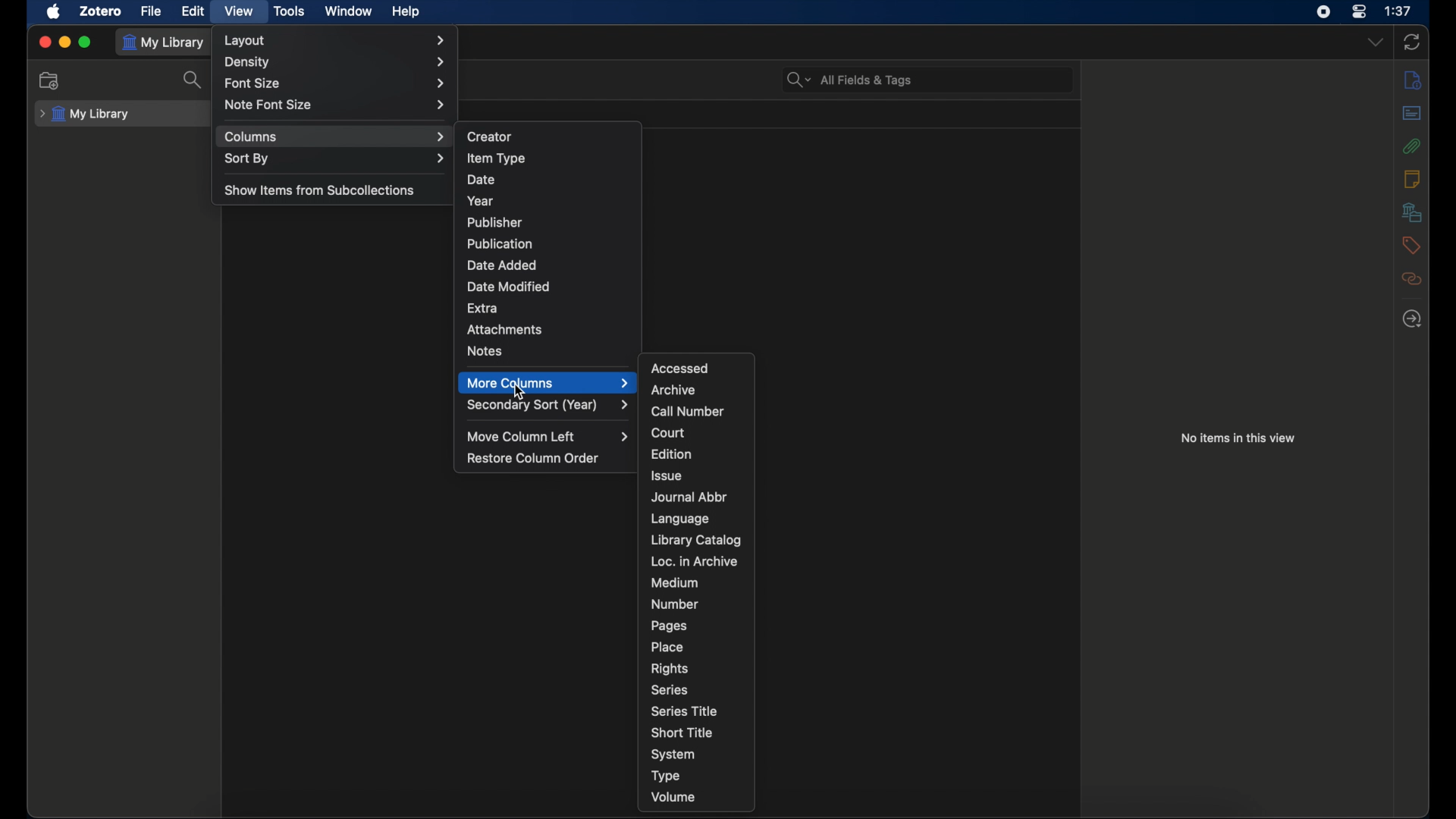 This screenshot has height=819, width=1456. I want to click on short title, so click(681, 733).